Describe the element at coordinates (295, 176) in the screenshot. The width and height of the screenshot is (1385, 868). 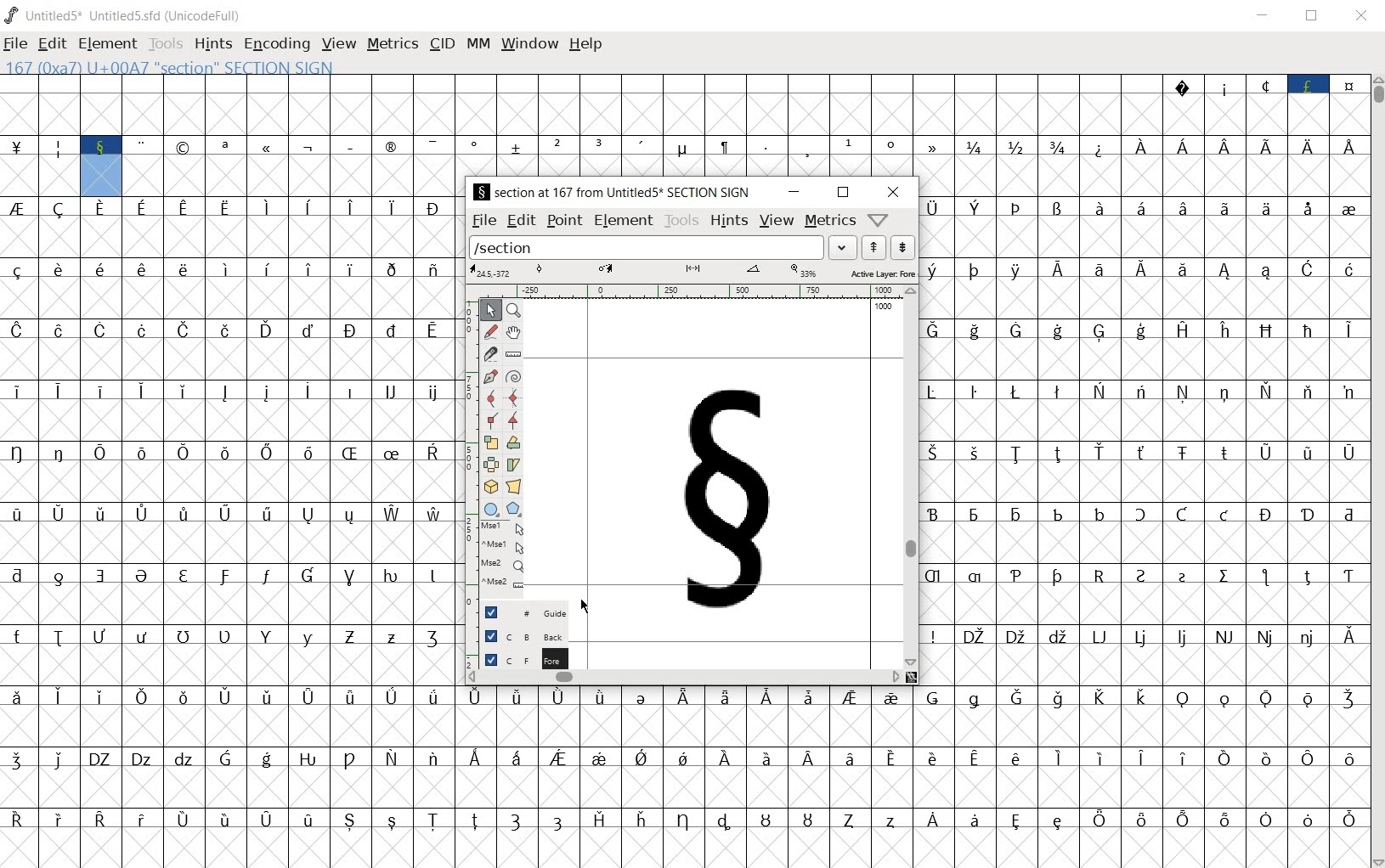
I see `empty cells` at that location.